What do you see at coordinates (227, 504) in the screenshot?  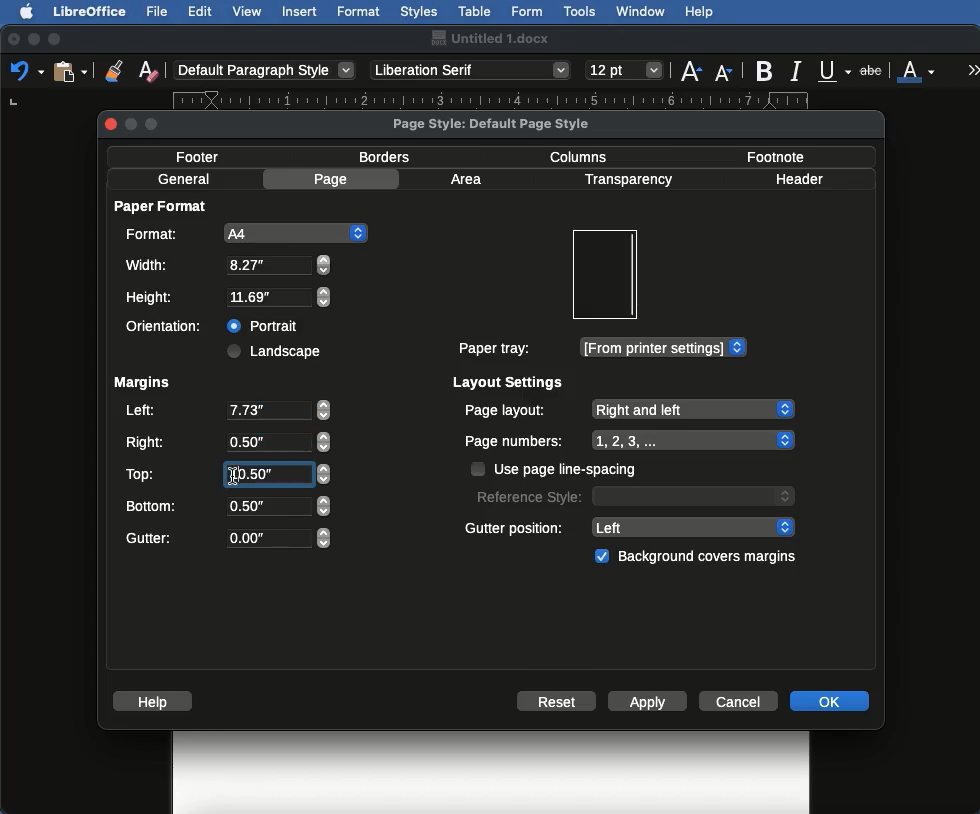 I see `Bottom` at bounding box center [227, 504].